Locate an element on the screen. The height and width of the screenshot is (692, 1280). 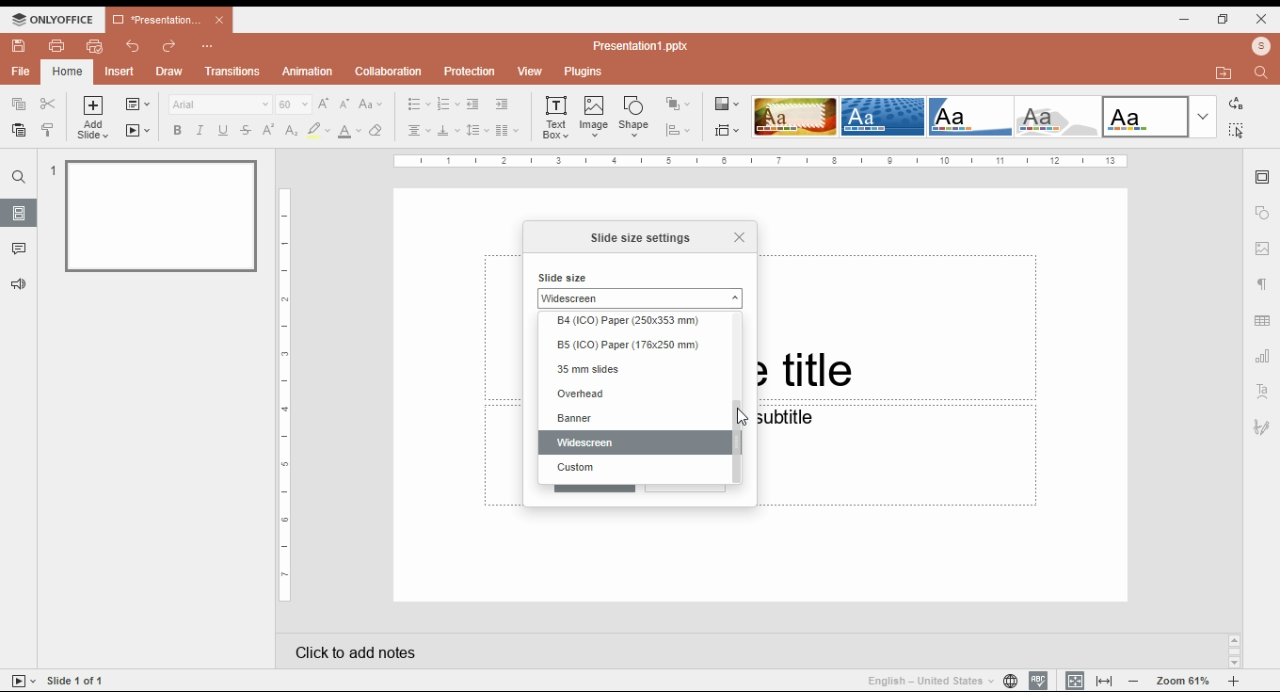
find is located at coordinates (1264, 71).